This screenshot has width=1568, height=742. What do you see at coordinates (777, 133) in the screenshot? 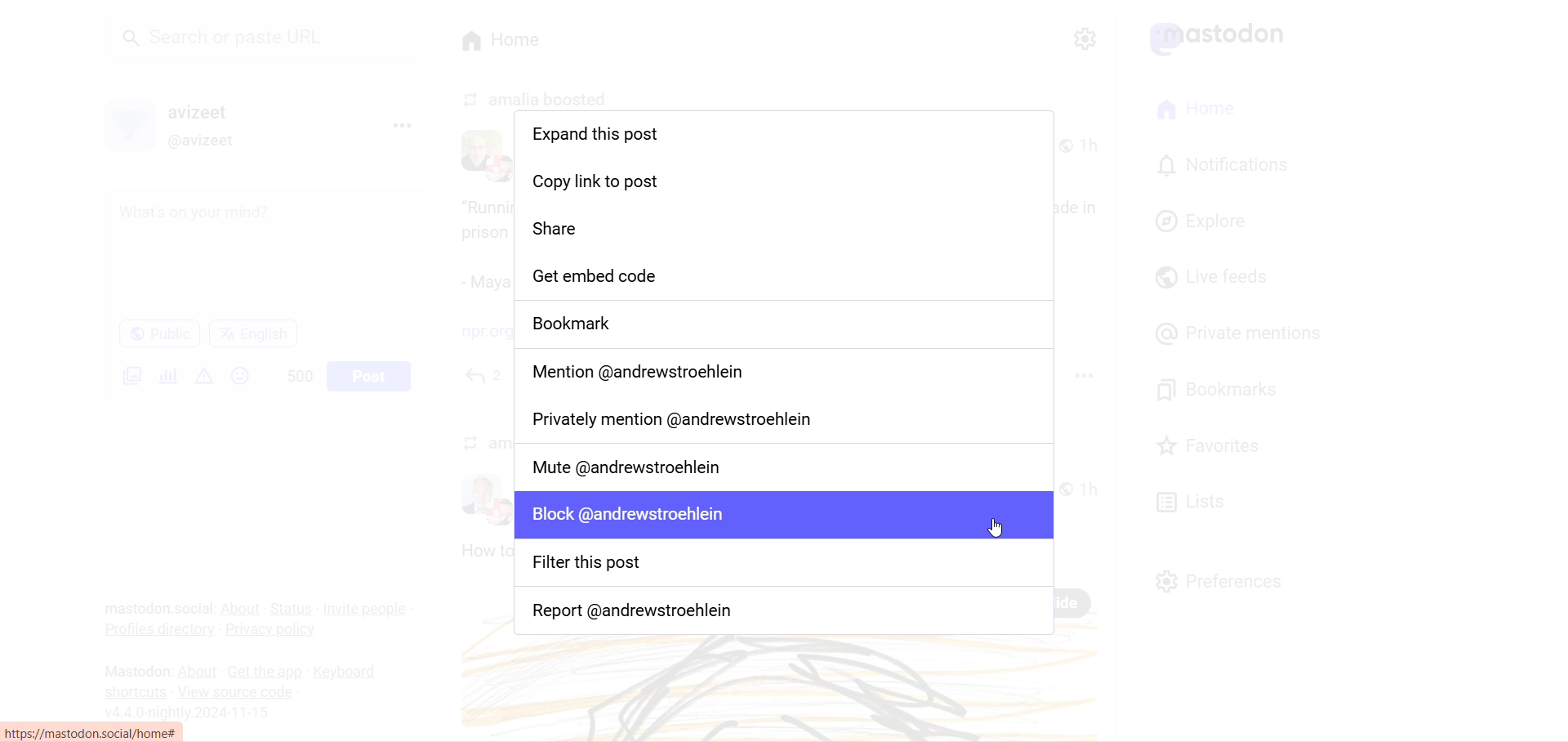
I see `Expand this post` at bounding box center [777, 133].